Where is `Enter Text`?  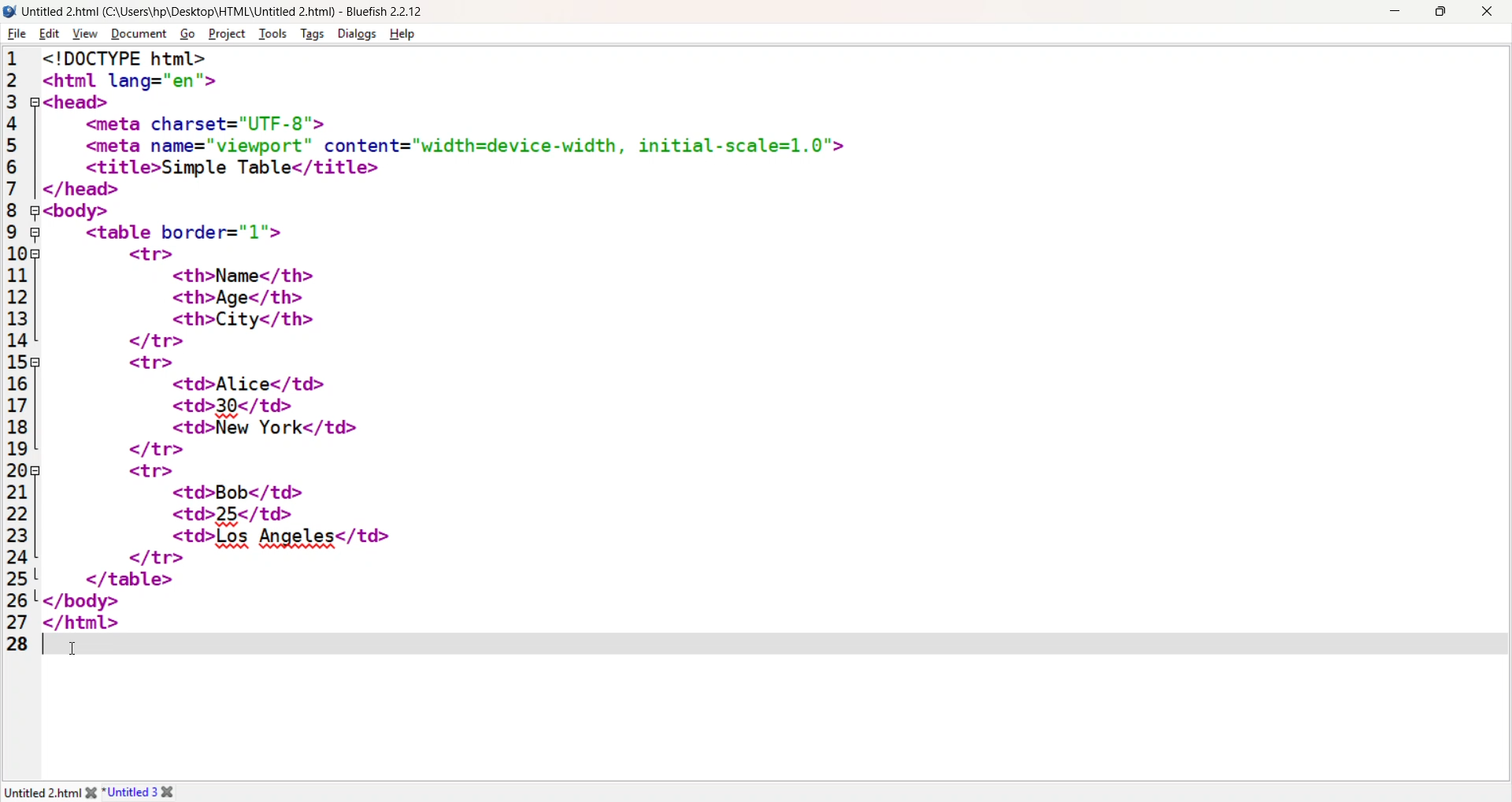
Enter Text is located at coordinates (769, 644).